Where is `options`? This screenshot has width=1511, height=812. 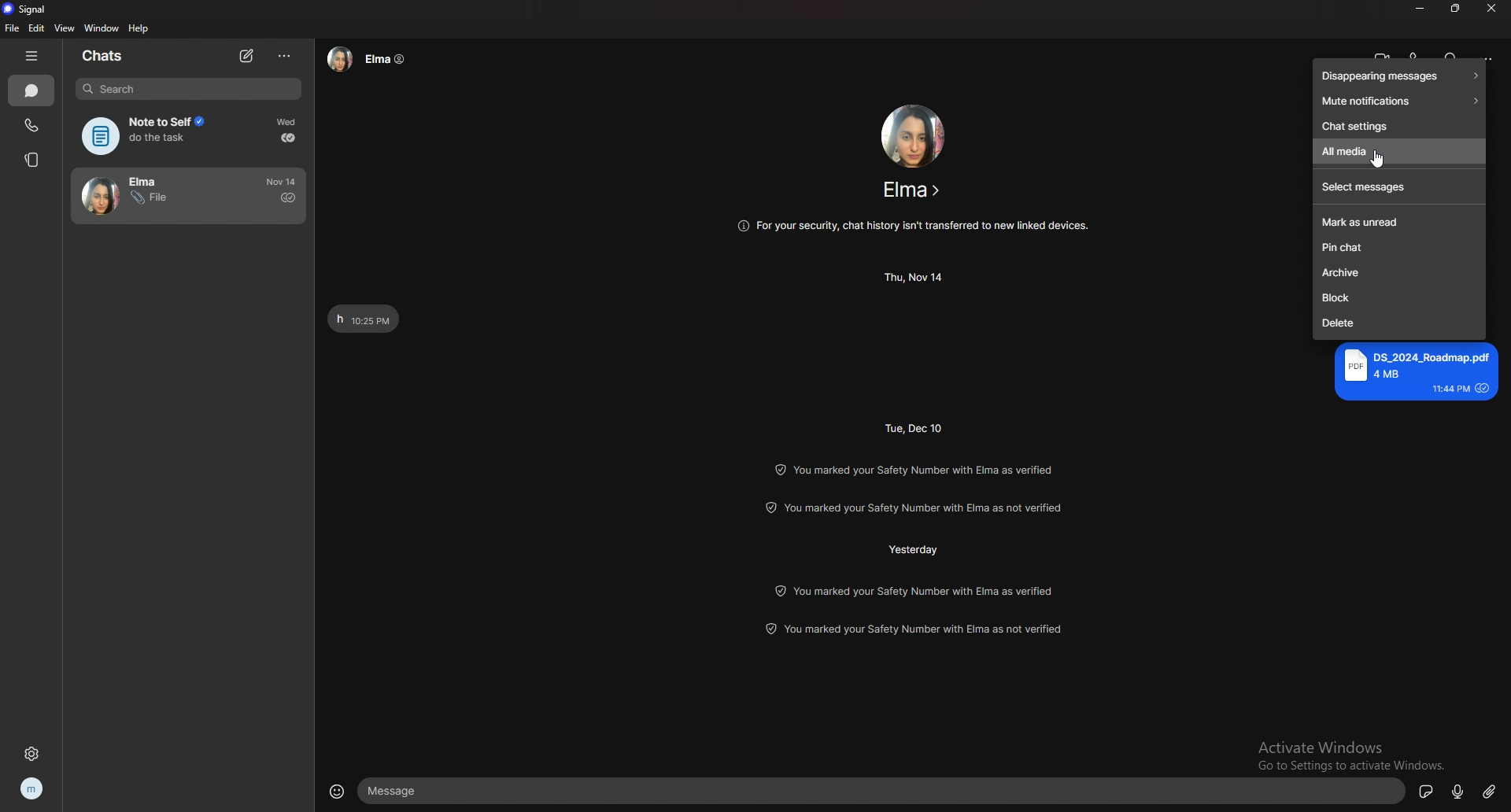
options is located at coordinates (286, 56).